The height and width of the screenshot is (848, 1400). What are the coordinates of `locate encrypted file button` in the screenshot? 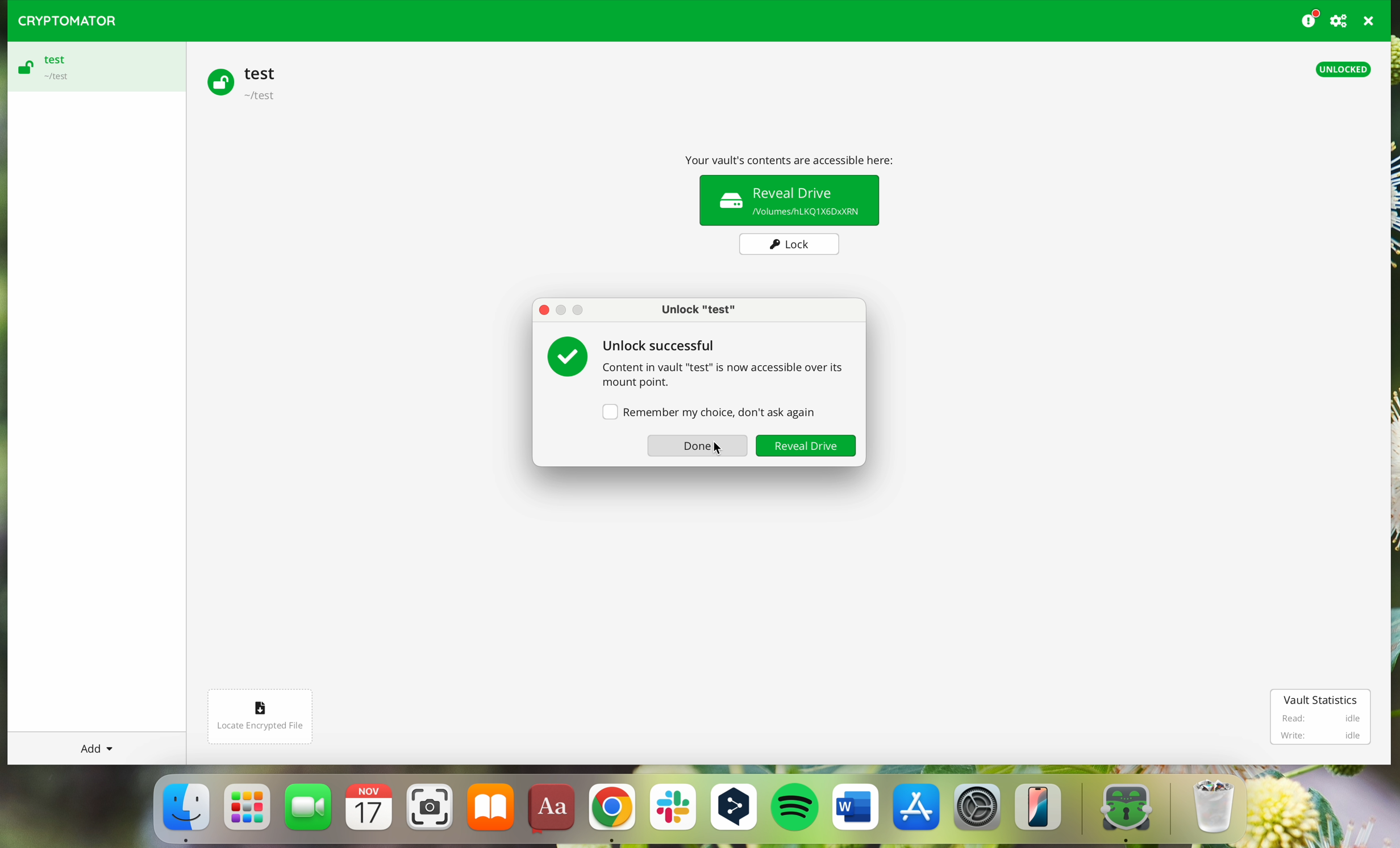 It's located at (261, 717).